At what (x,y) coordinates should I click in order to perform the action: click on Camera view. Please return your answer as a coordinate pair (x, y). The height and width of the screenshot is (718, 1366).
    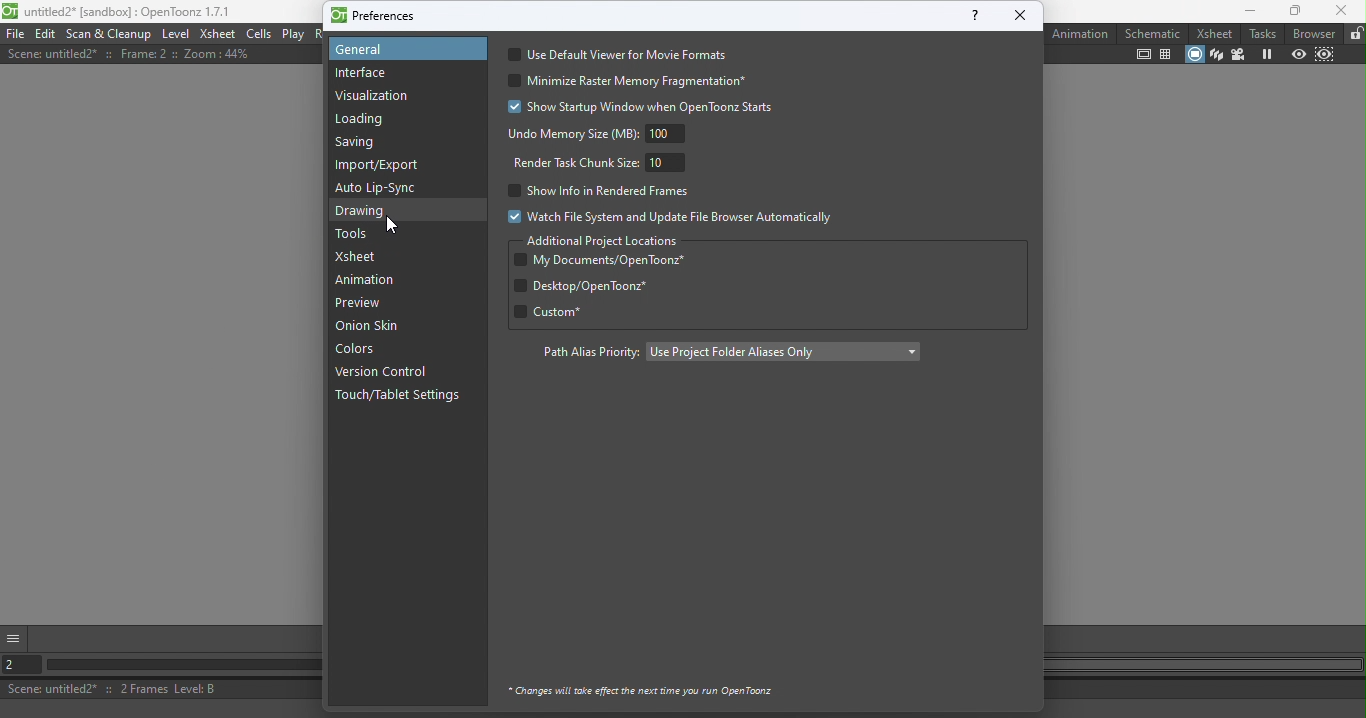
    Looking at the image, I should click on (1237, 54).